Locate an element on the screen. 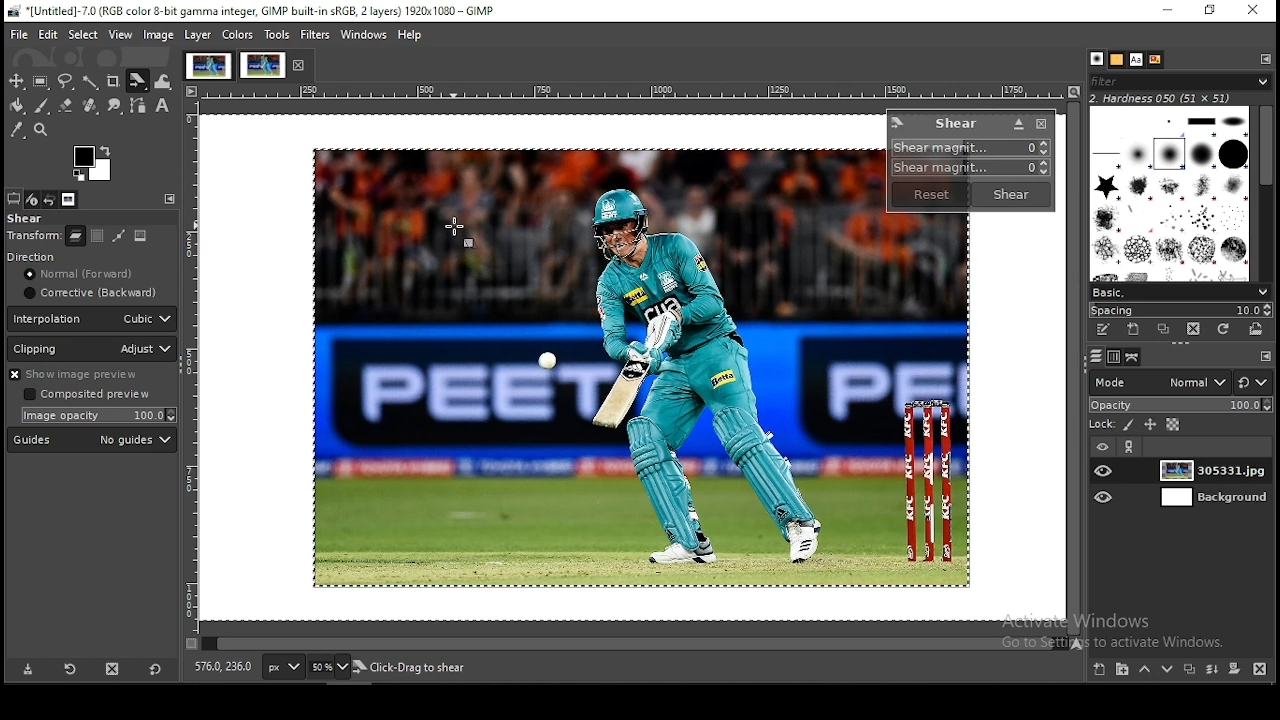 The image size is (1280, 720). undo history is located at coordinates (52, 199).